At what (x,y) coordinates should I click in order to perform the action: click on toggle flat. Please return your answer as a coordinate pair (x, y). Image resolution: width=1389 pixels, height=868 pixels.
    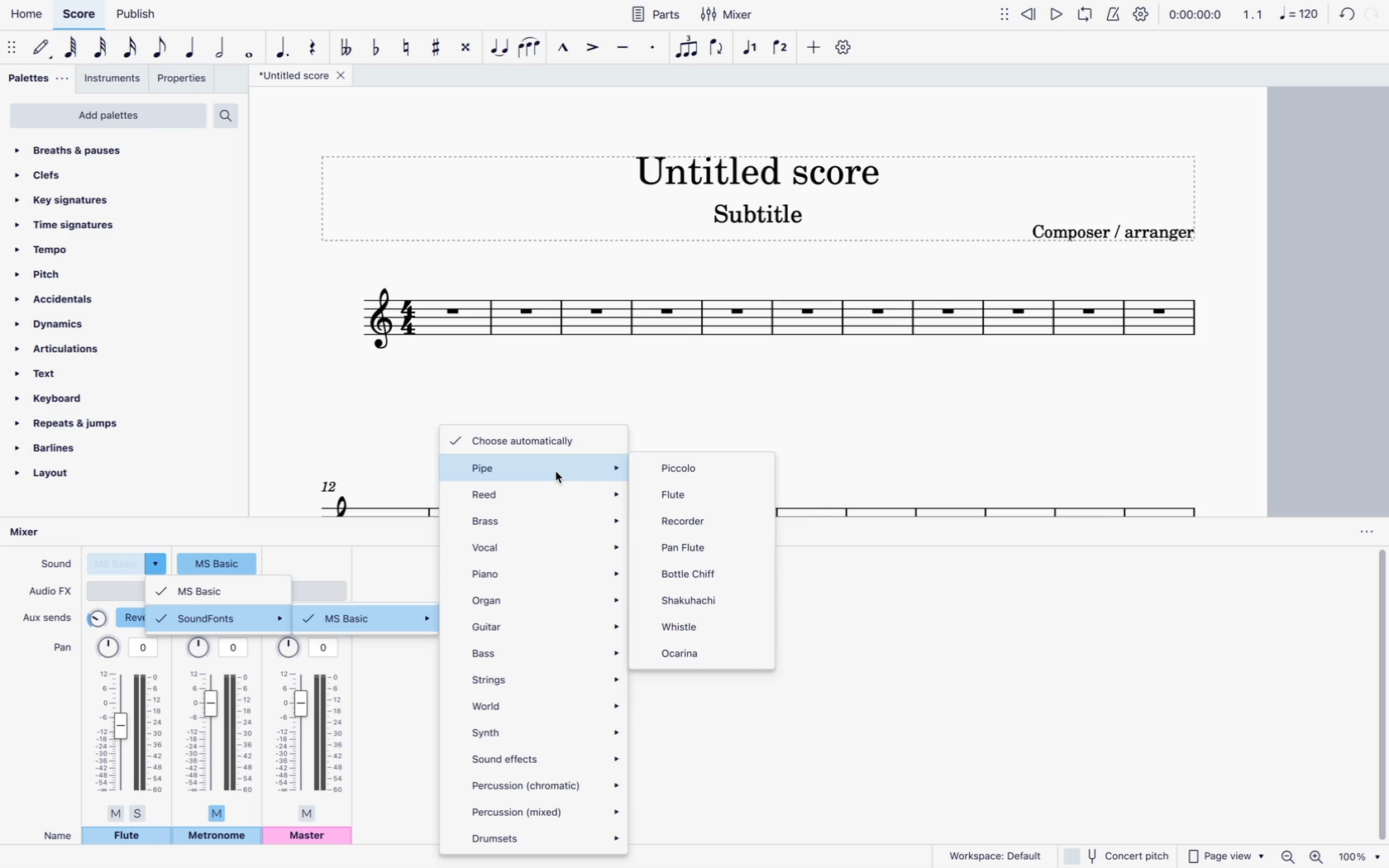
    Looking at the image, I should click on (376, 46).